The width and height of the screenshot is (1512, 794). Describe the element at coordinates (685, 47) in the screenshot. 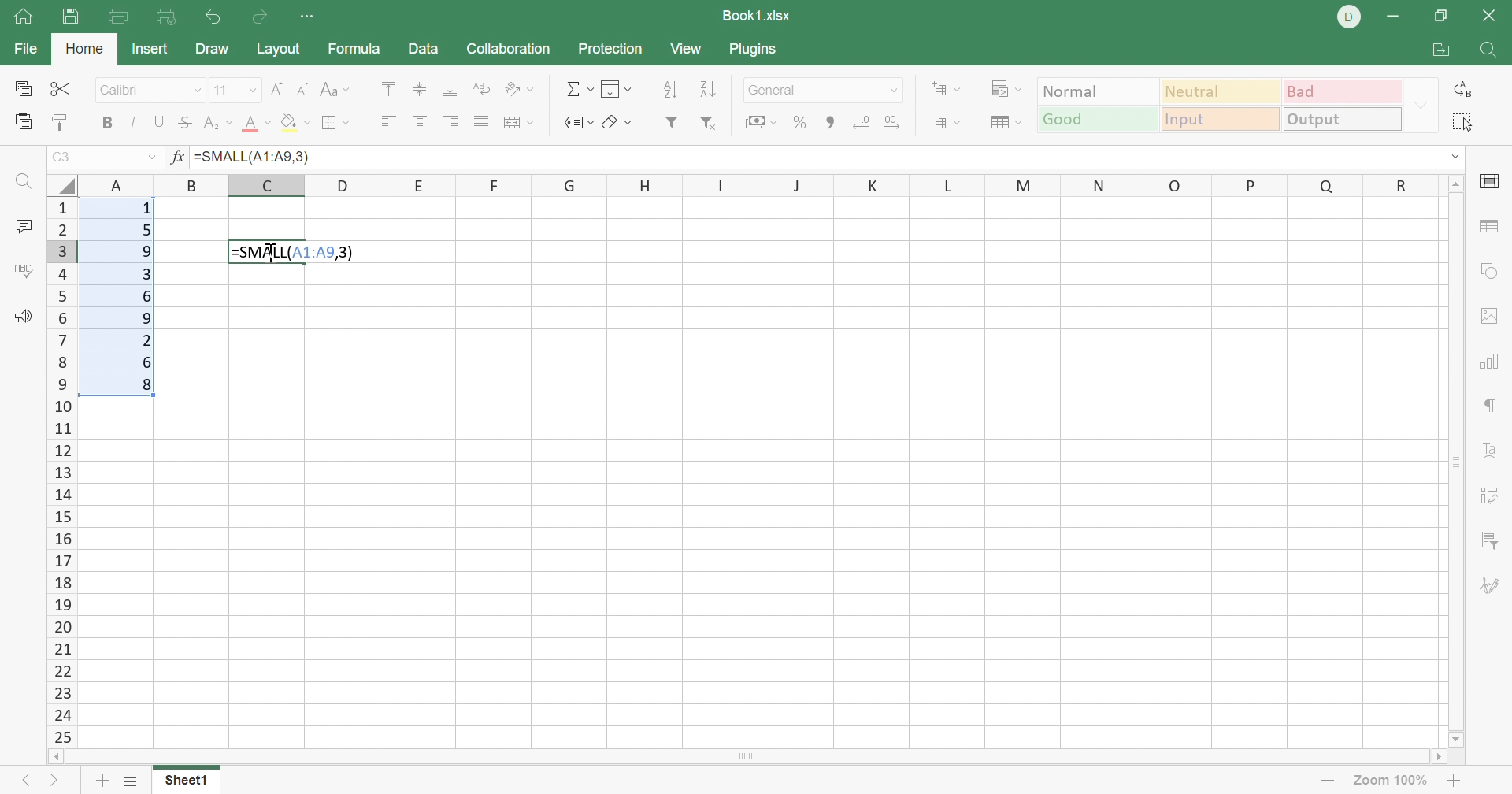

I see `View` at that location.